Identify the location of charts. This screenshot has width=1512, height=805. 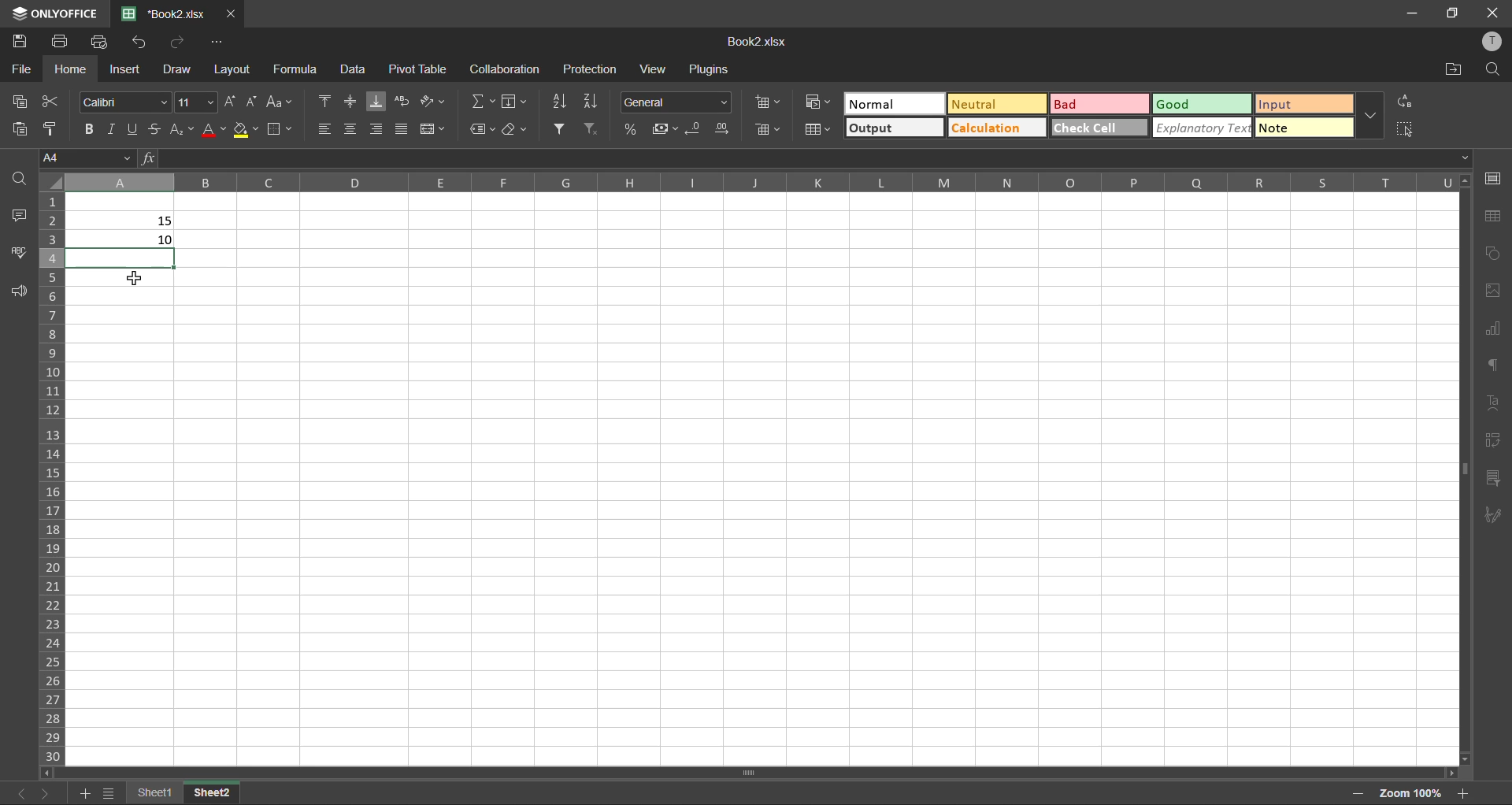
(1492, 329).